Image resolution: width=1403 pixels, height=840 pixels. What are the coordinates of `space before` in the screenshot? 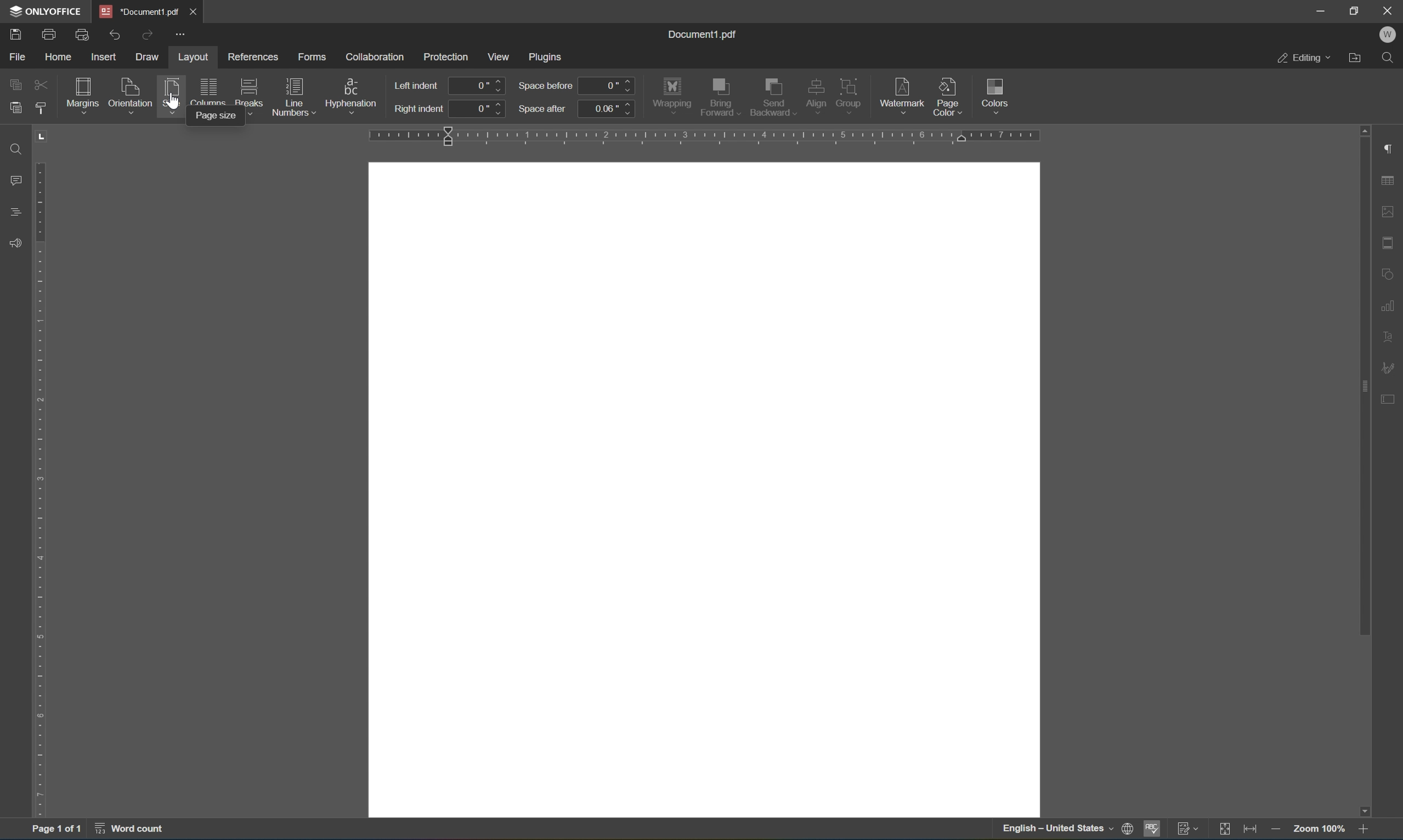 It's located at (545, 86).